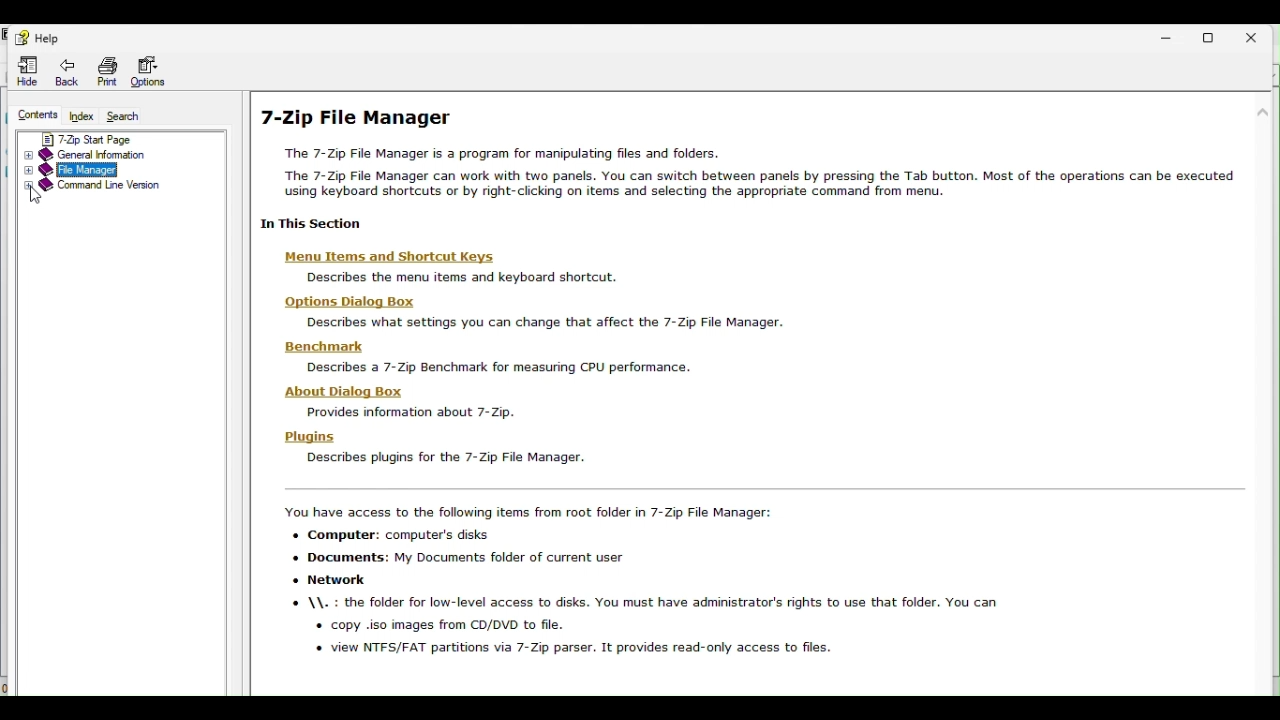  Describe the element at coordinates (325, 346) in the screenshot. I see `Benchmark` at that location.